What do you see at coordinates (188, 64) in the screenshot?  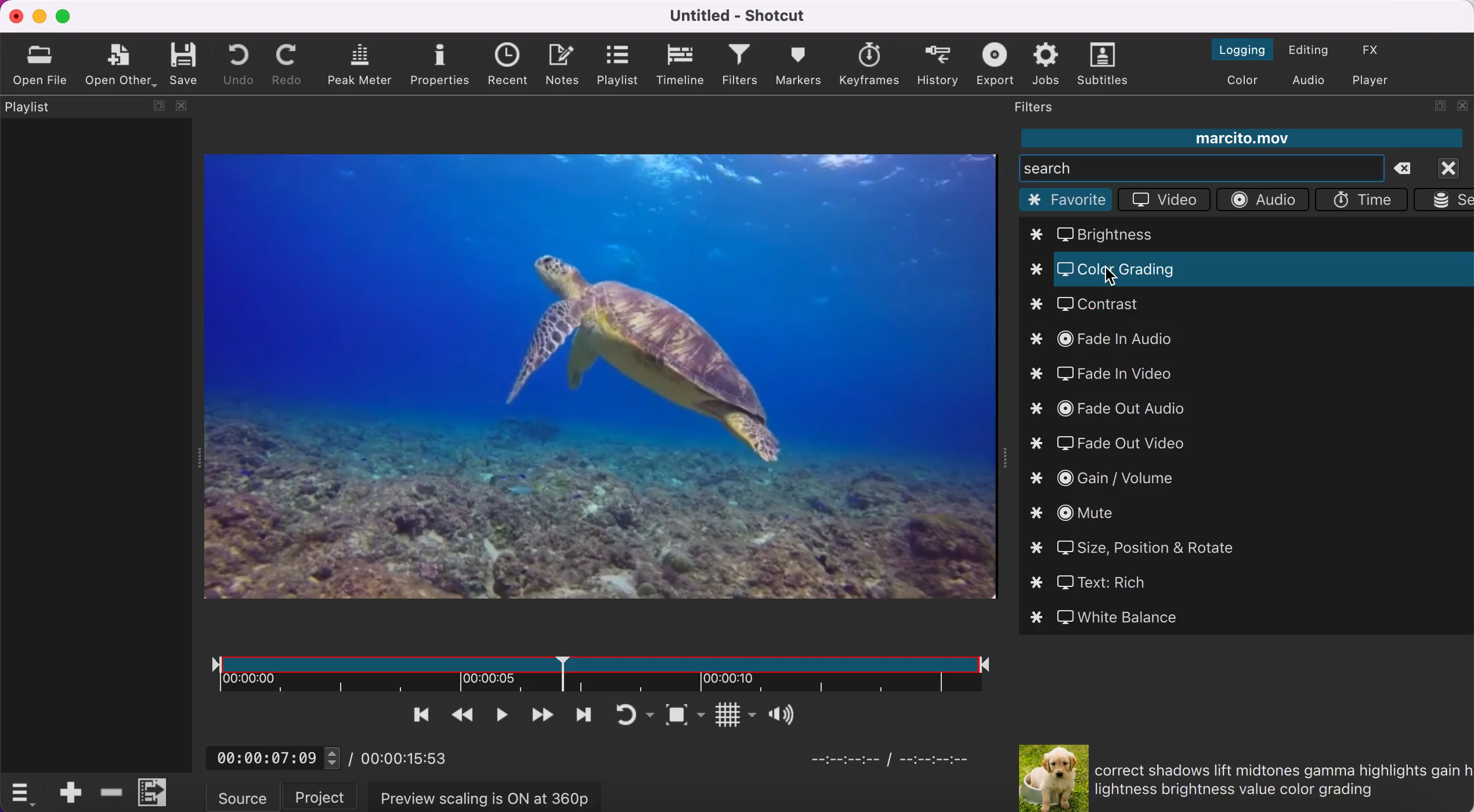 I see `save` at bounding box center [188, 64].